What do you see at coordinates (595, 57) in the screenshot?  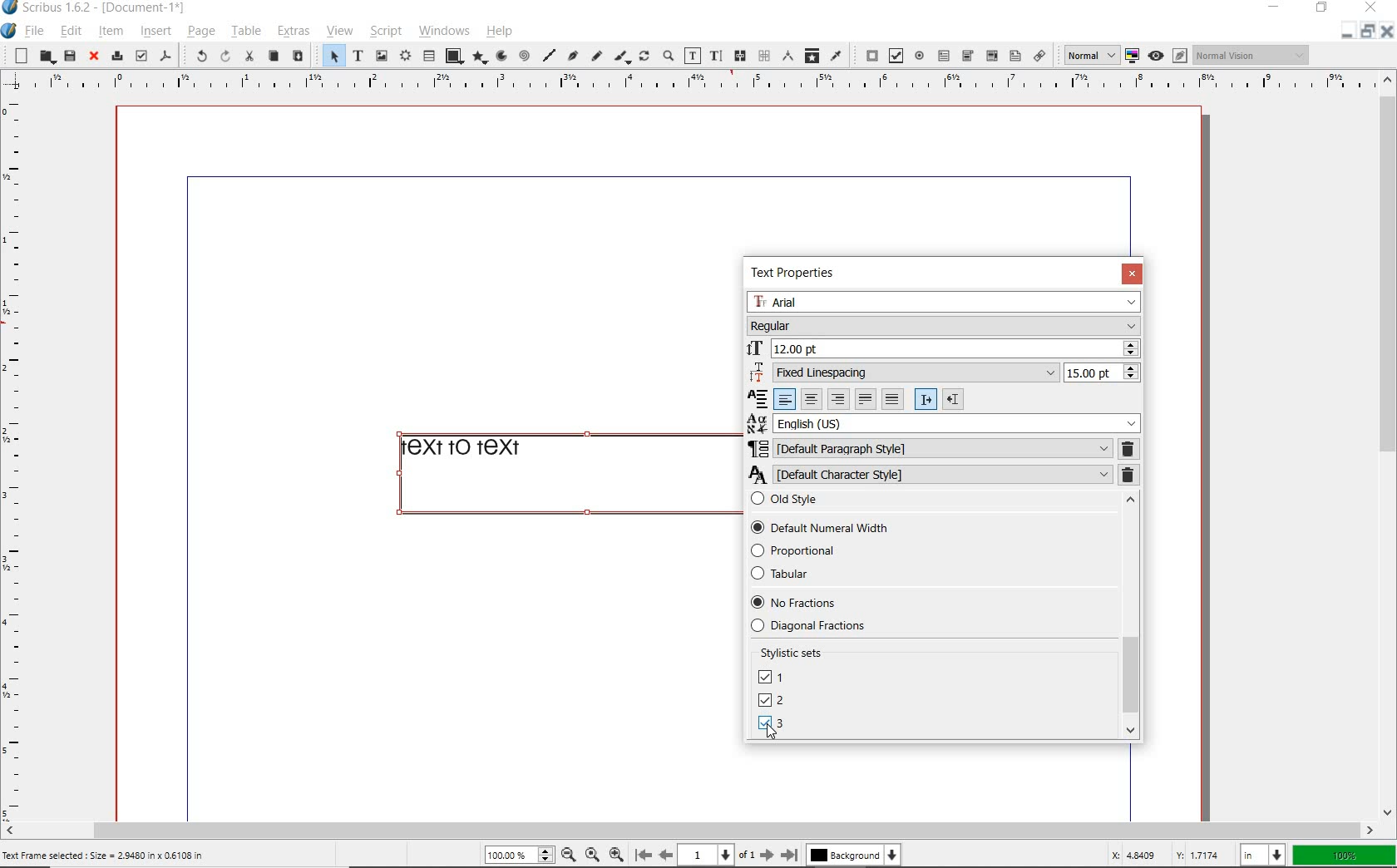 I see `freehand line` at bounding box center [595, 57].